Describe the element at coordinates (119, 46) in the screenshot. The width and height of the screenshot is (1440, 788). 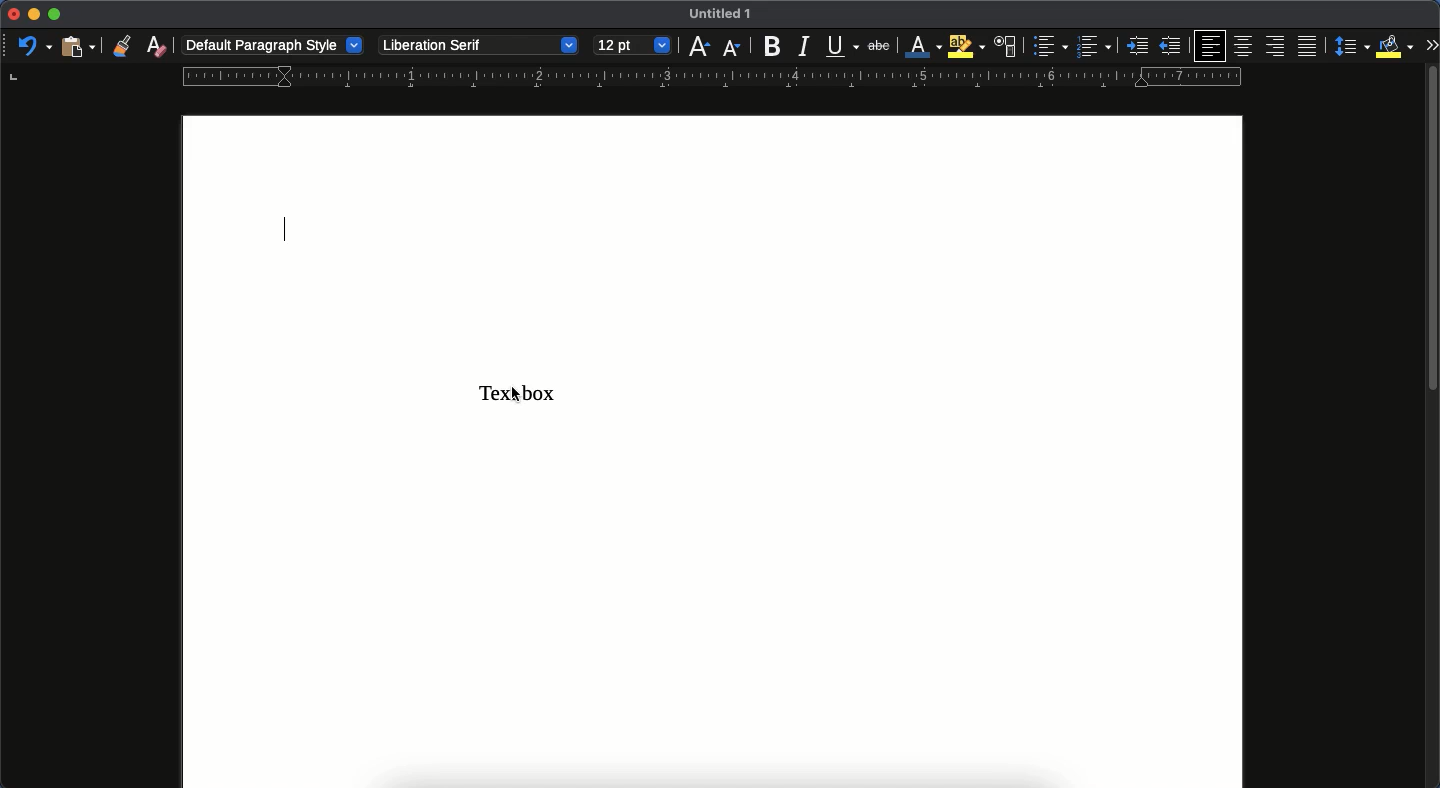
I see `clone formatting` at that location.